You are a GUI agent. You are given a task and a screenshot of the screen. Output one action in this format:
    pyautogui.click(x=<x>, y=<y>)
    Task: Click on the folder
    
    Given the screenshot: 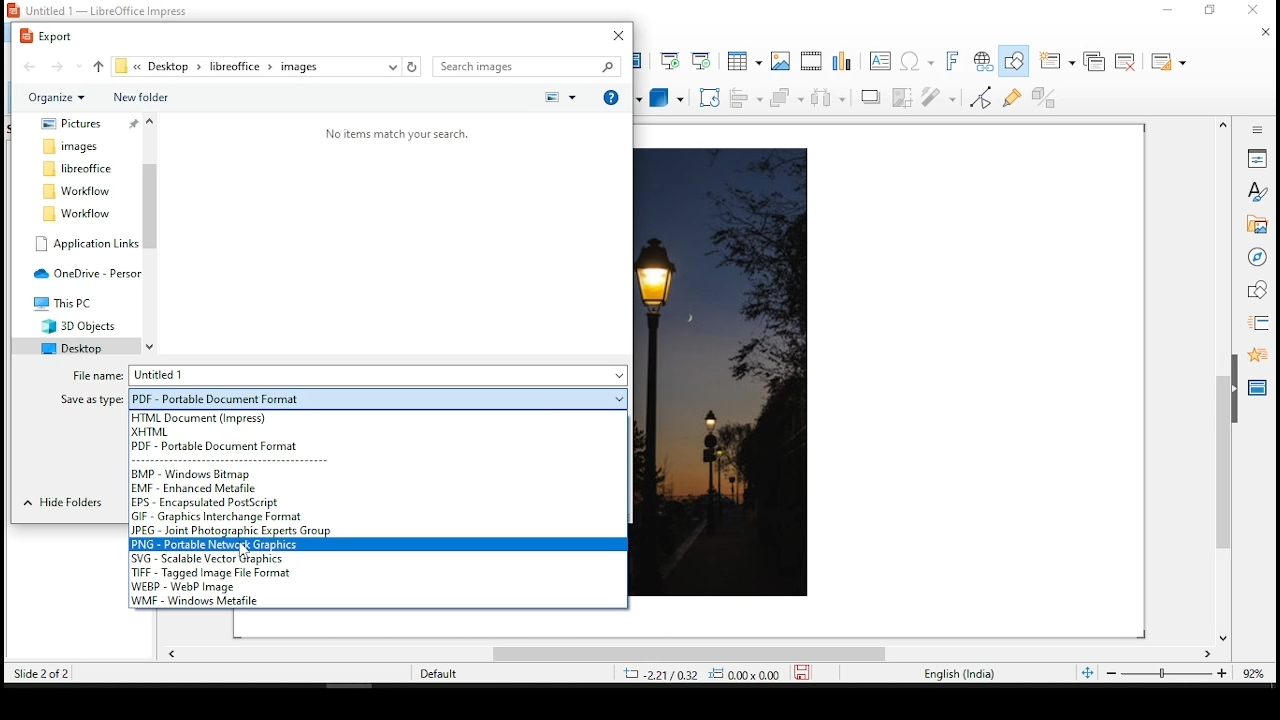 What is the action you would take?
    pyautogui.click(x=75, y=213)
    